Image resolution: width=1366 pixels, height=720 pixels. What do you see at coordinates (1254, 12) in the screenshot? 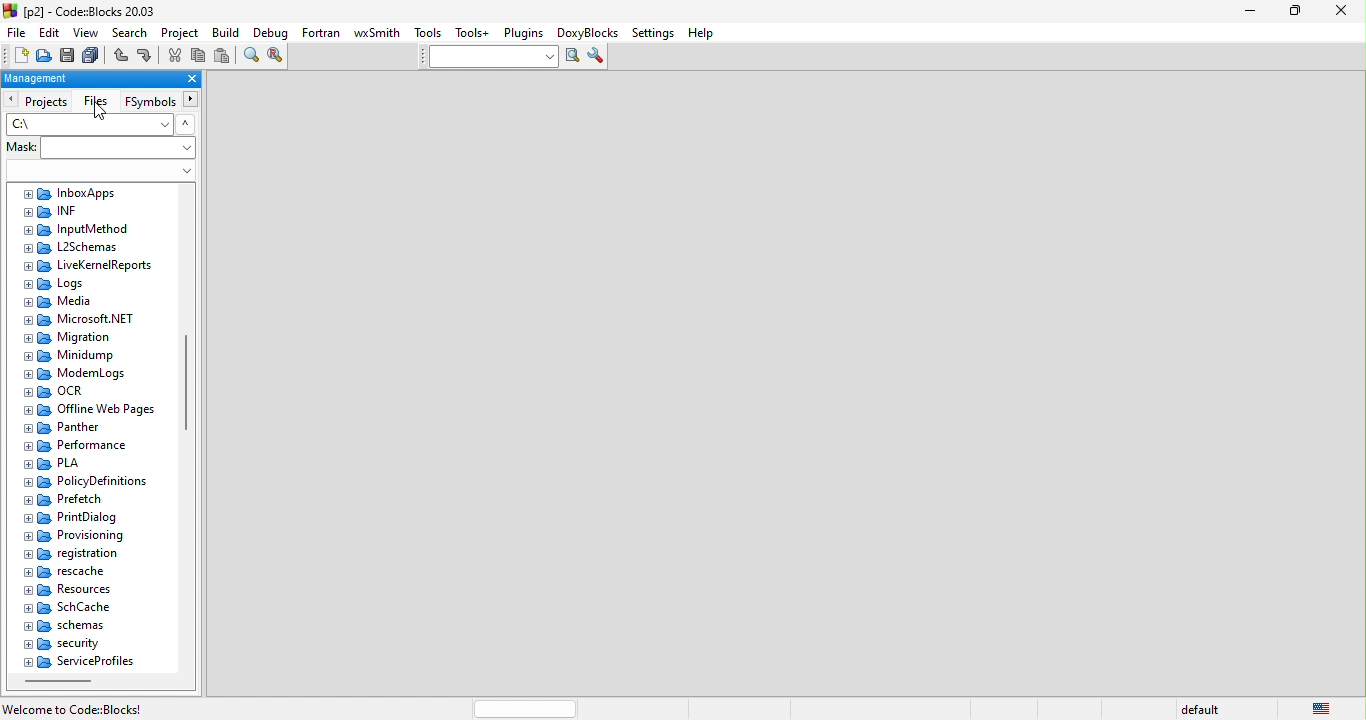
I see `minimize` at bounding box center [1254, 12].